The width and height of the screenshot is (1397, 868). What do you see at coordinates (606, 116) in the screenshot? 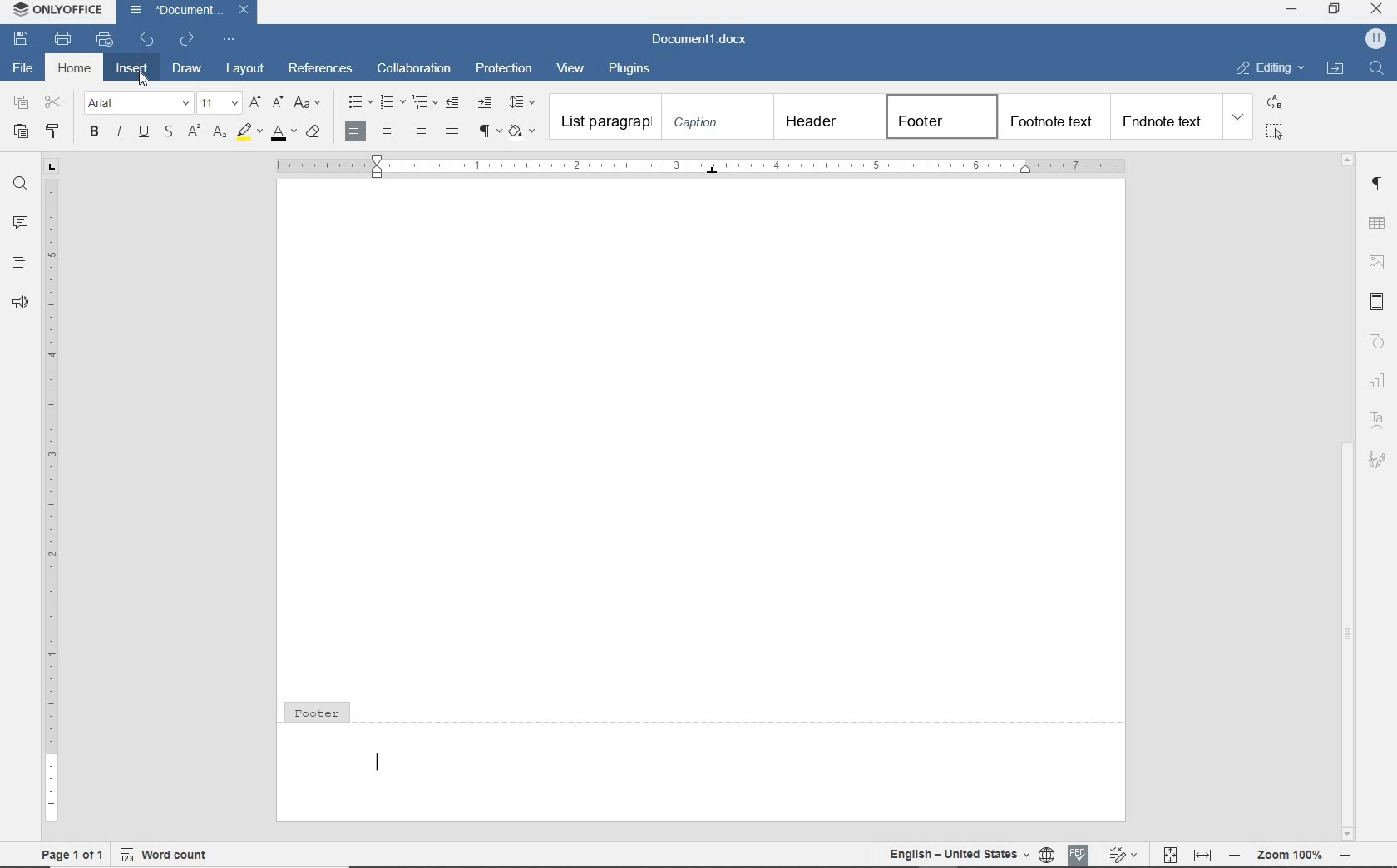
I see `List paragraph` at bounding box center [606, 116].